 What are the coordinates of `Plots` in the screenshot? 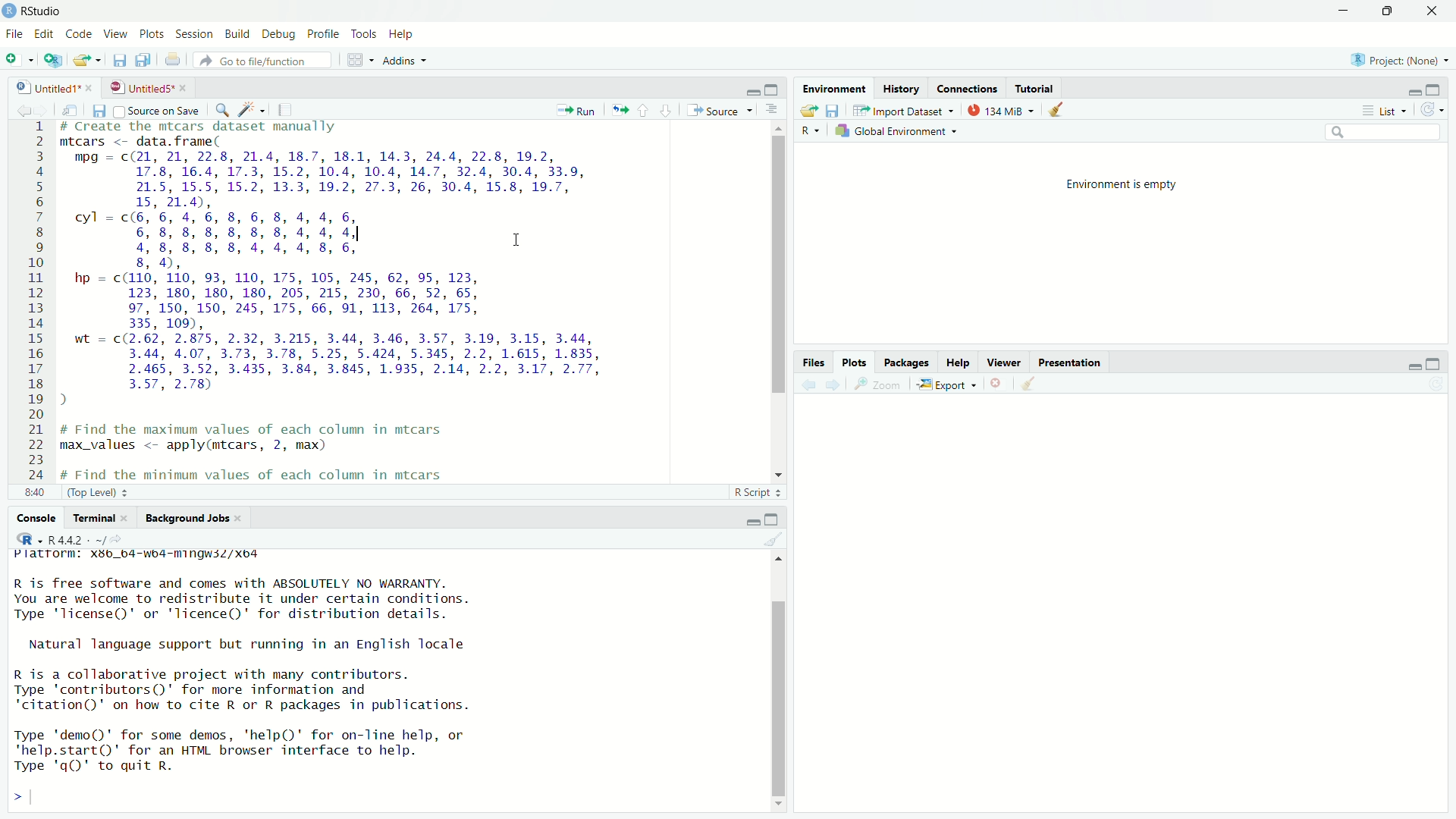 It's located at (152, 33).